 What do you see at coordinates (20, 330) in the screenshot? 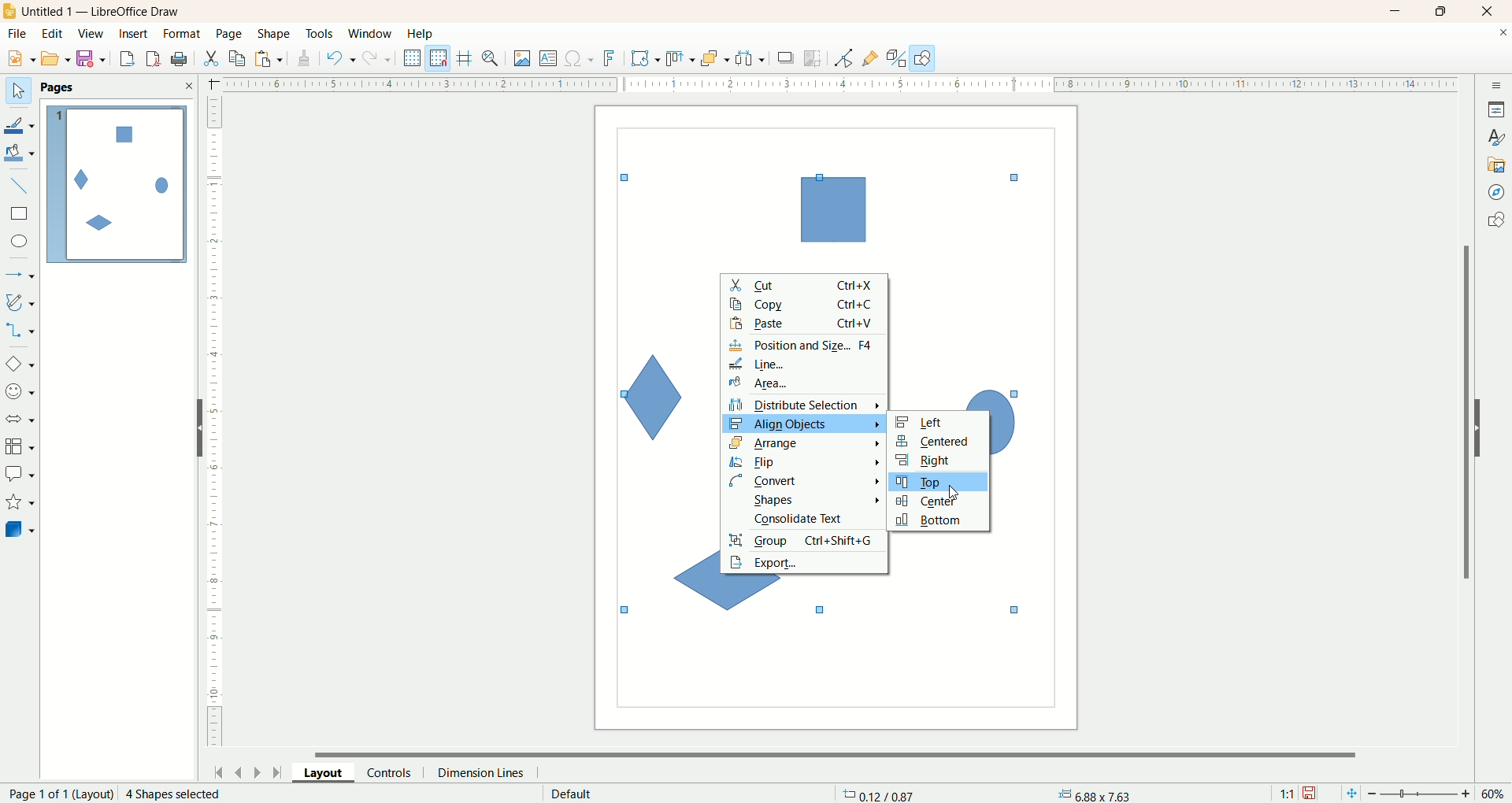
I see `connectors` at bounding box center [20, 330].